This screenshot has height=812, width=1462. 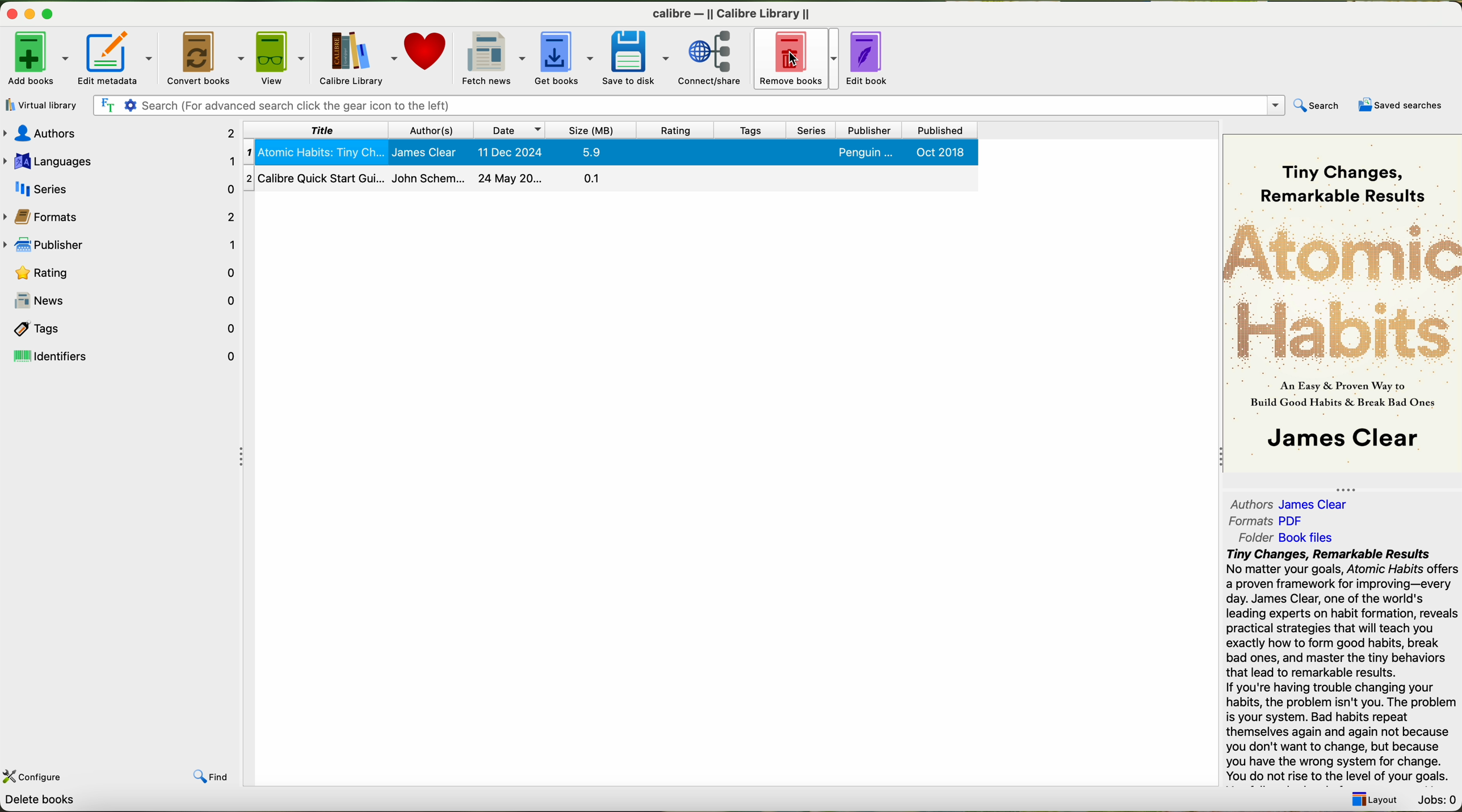 What do you see at coordinates (493, 57) in the screenshot?
I see `fletch news` at bounding box center [493, 57].